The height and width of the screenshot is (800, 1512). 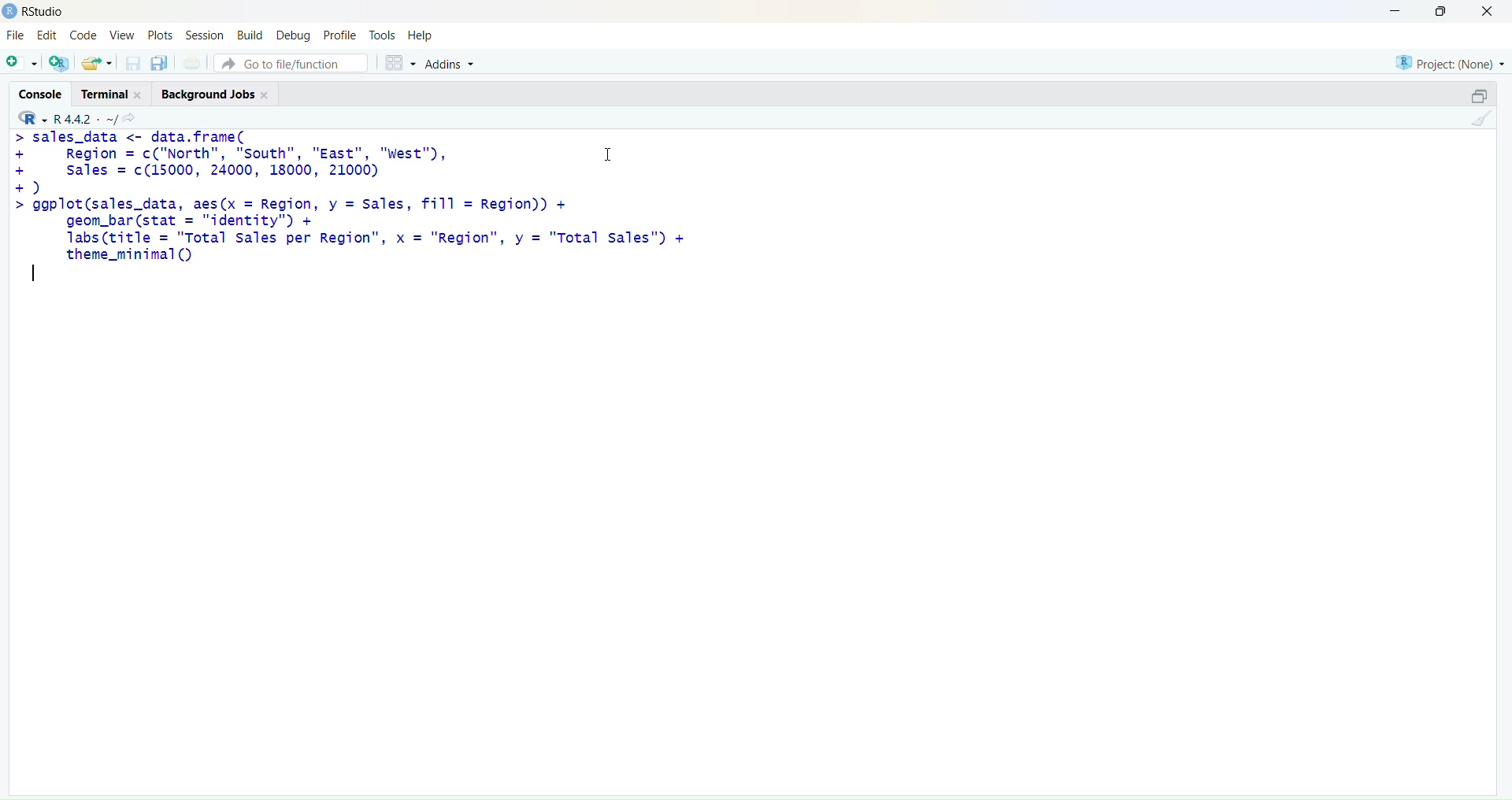 What do you see at coordinates (423, 36) in the screenshot?
I see `Help` at bounding box center [423, 36].